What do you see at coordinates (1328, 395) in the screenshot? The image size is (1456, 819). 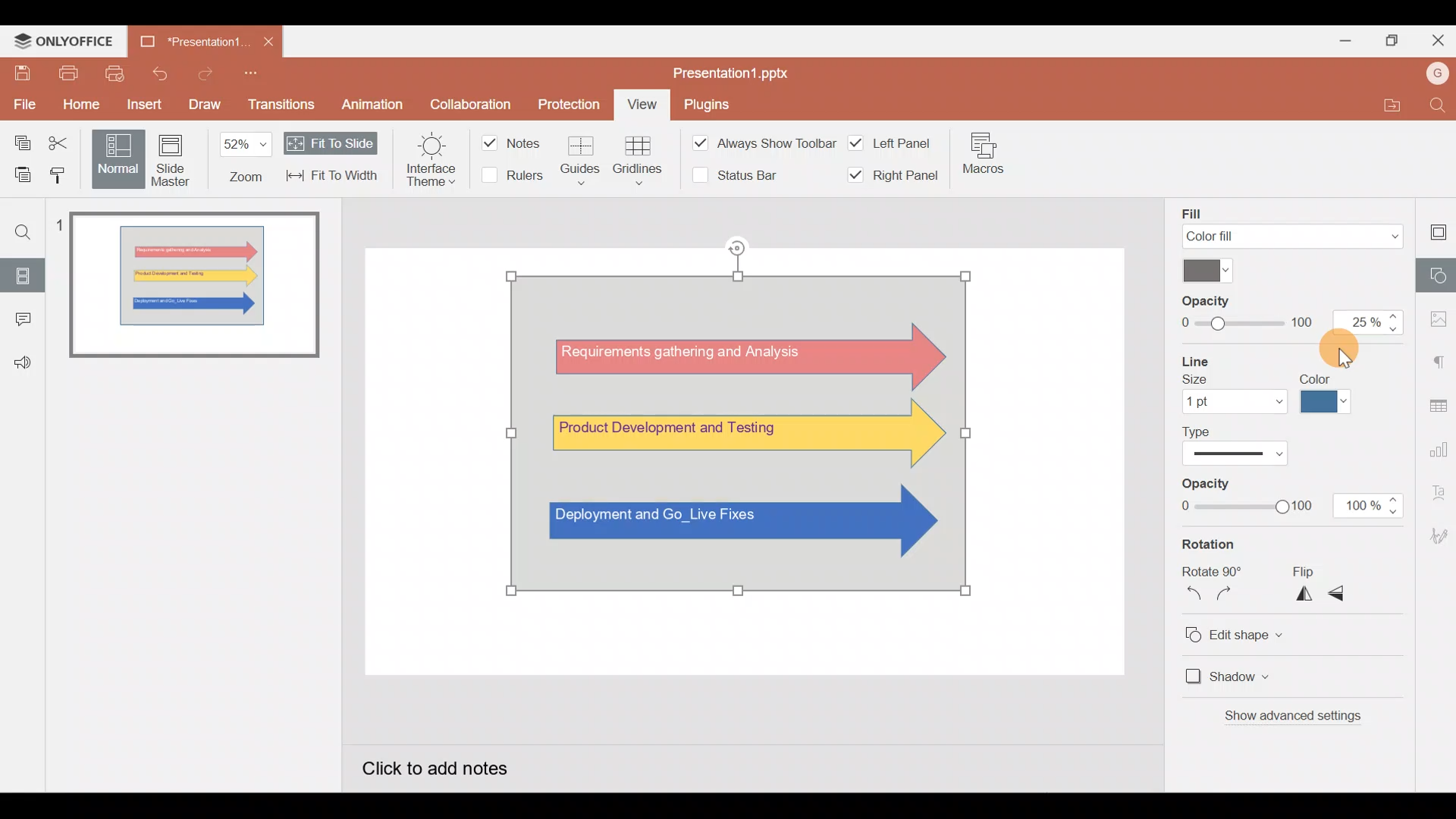 I see `Line color` at bounding box center [1328, 395].